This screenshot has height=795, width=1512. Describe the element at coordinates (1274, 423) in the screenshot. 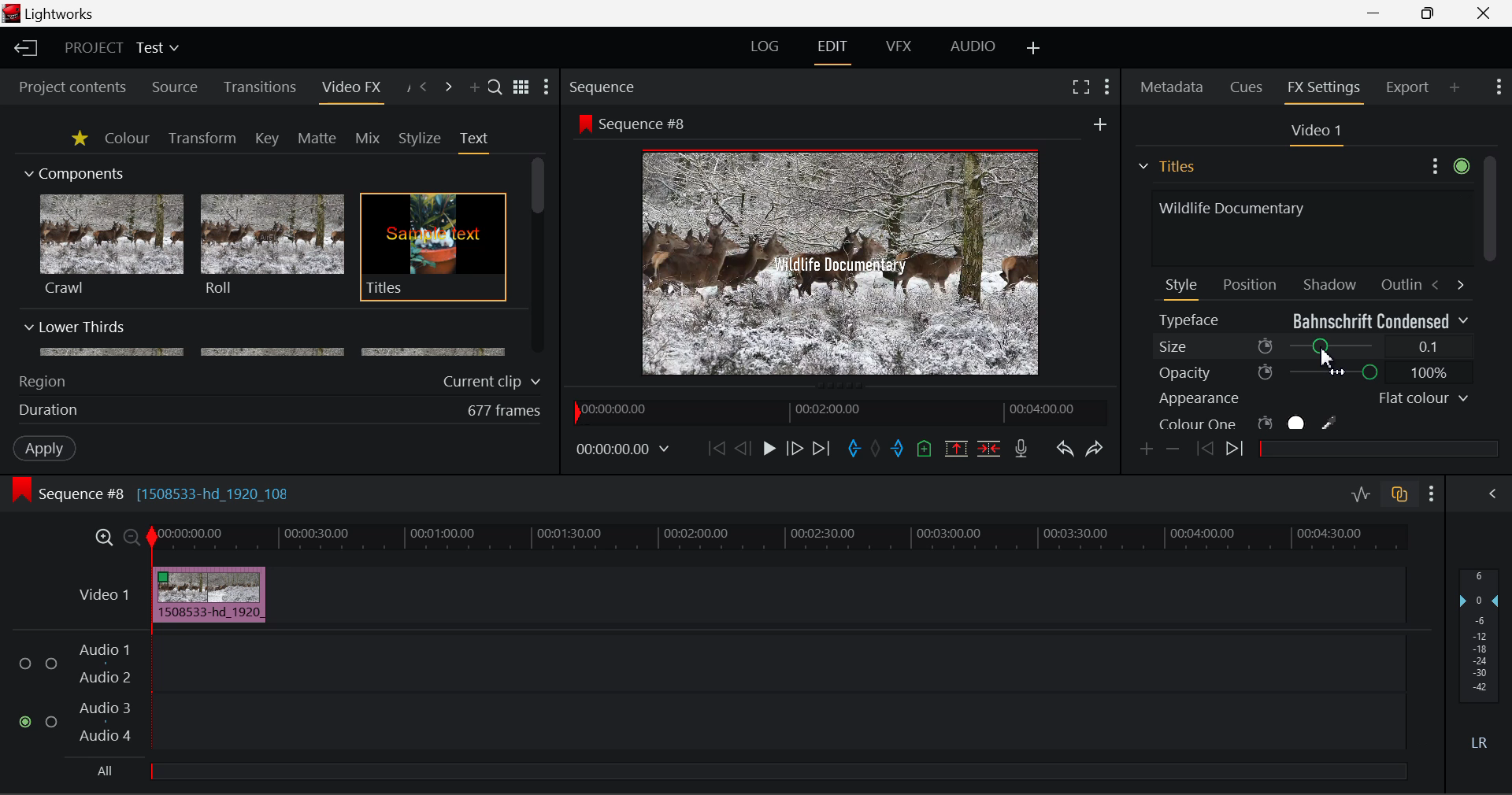

I see `Colour One` at that location.